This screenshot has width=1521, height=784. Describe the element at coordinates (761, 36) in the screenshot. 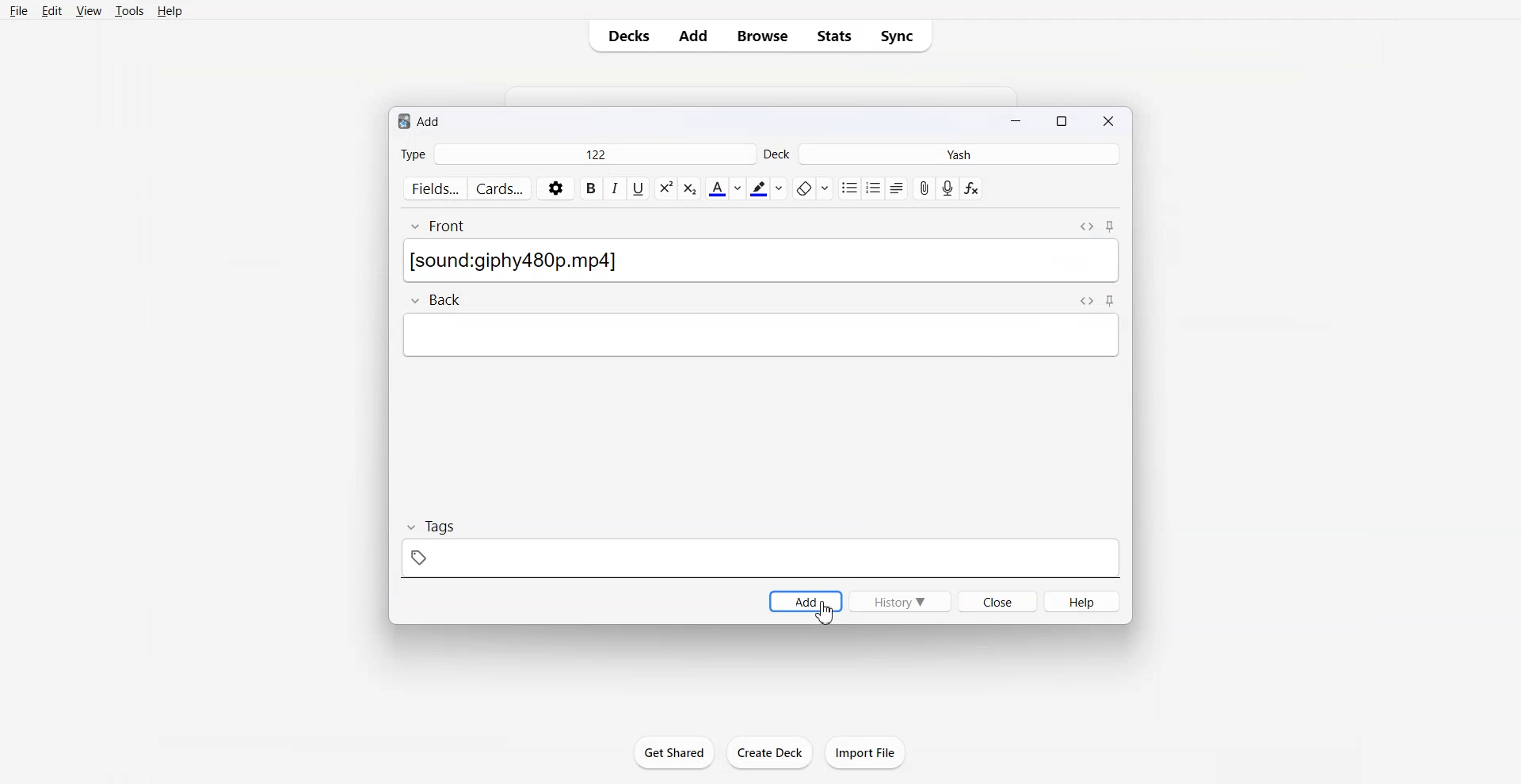

I see `Browse` at that location.